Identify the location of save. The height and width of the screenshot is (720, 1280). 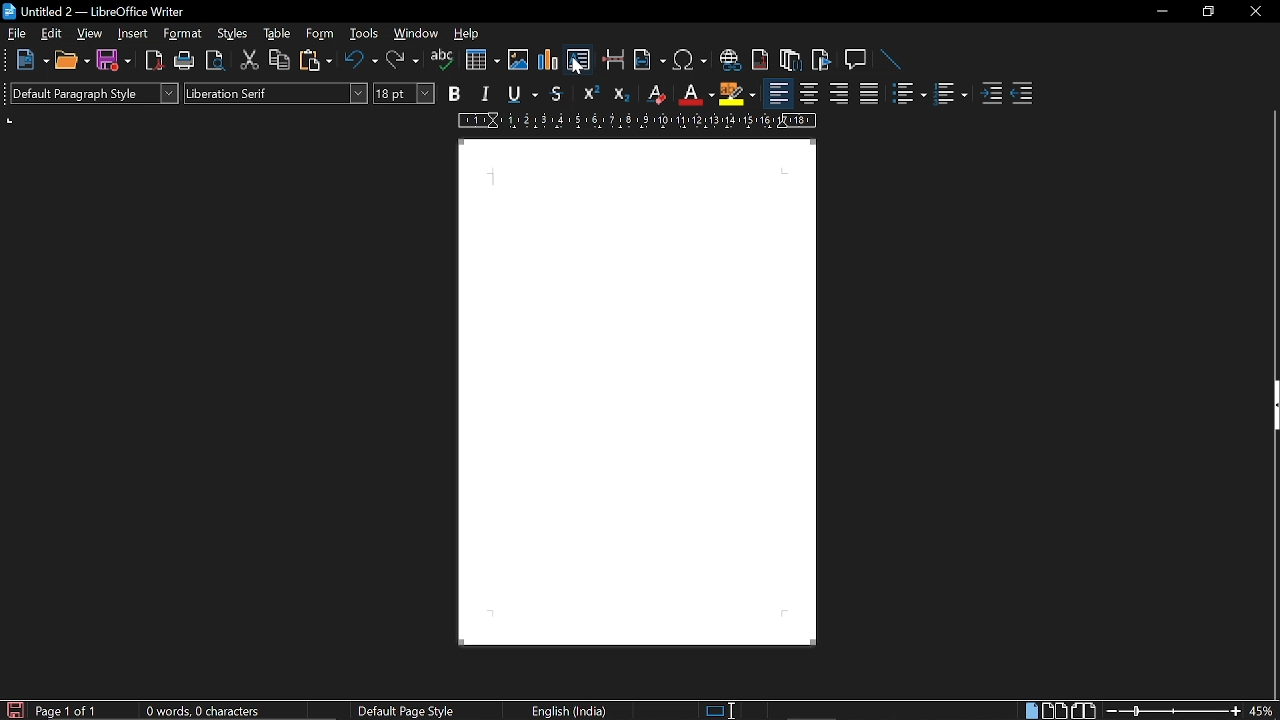
(14, 709).